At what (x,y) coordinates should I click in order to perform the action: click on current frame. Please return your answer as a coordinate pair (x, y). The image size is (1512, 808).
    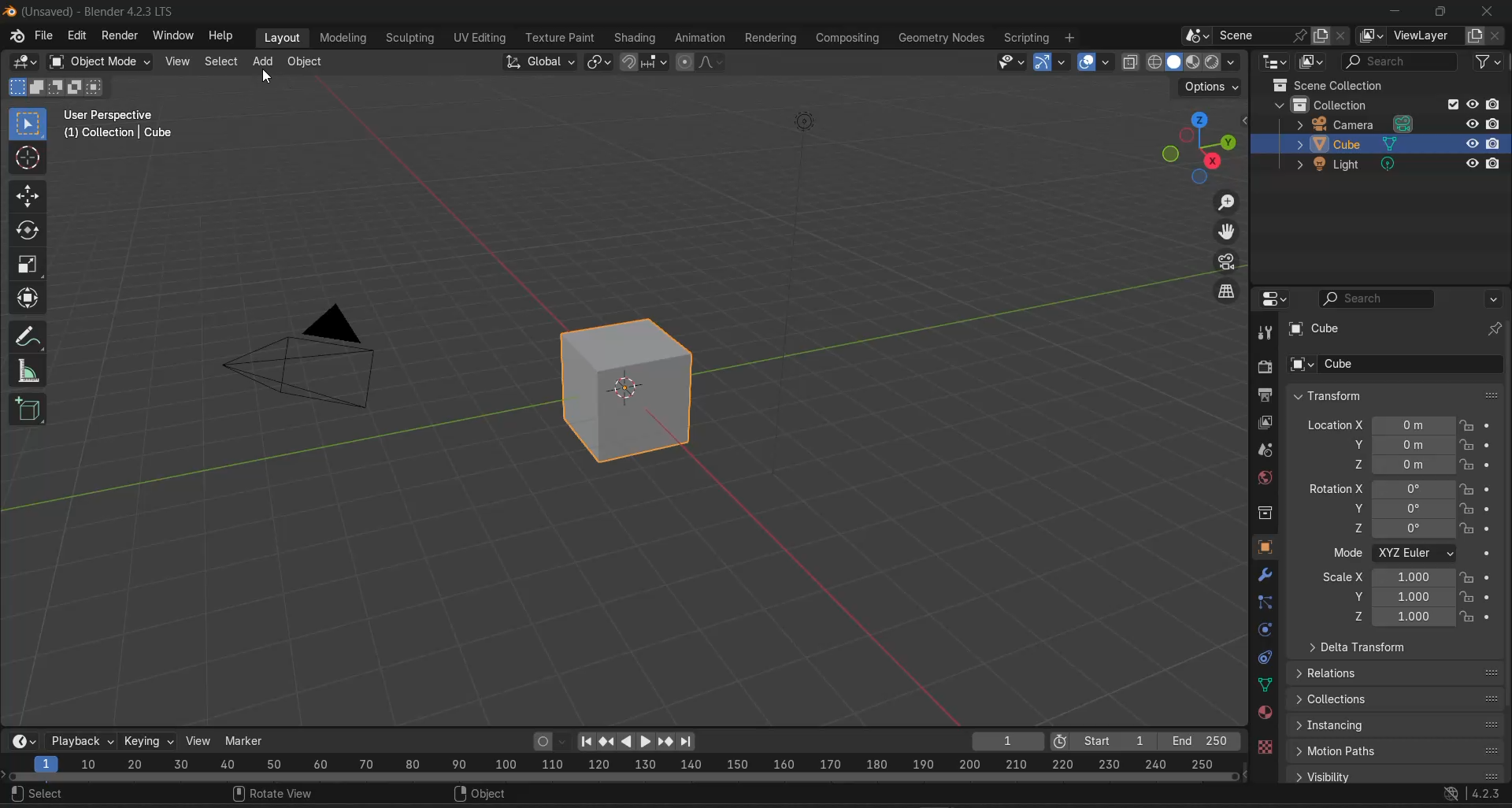
    Looking at the image, I should click on (1009, 739).